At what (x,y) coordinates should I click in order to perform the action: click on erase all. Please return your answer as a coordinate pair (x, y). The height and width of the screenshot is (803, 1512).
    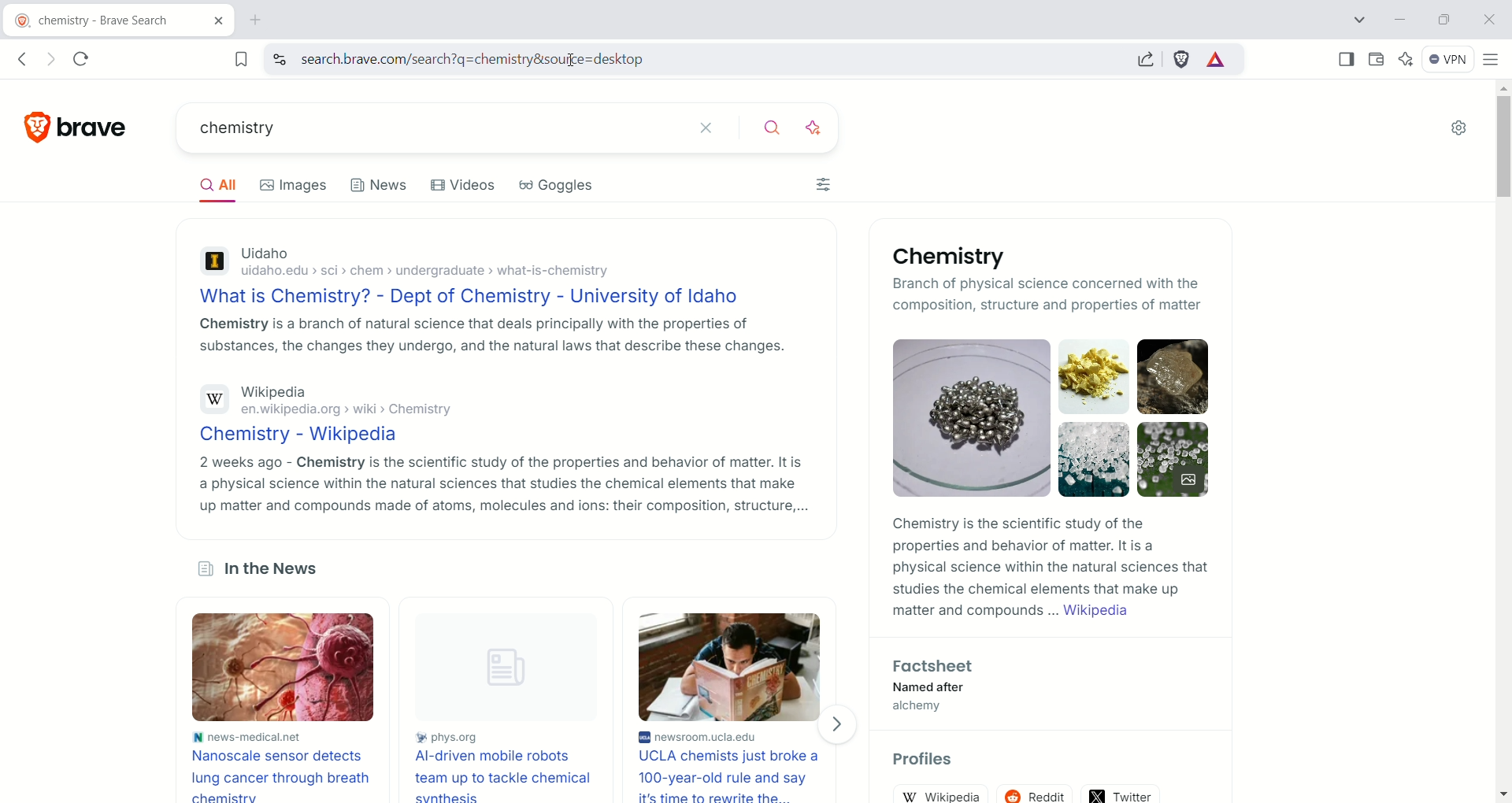
    Looking at the image, I should click on (716, 129).